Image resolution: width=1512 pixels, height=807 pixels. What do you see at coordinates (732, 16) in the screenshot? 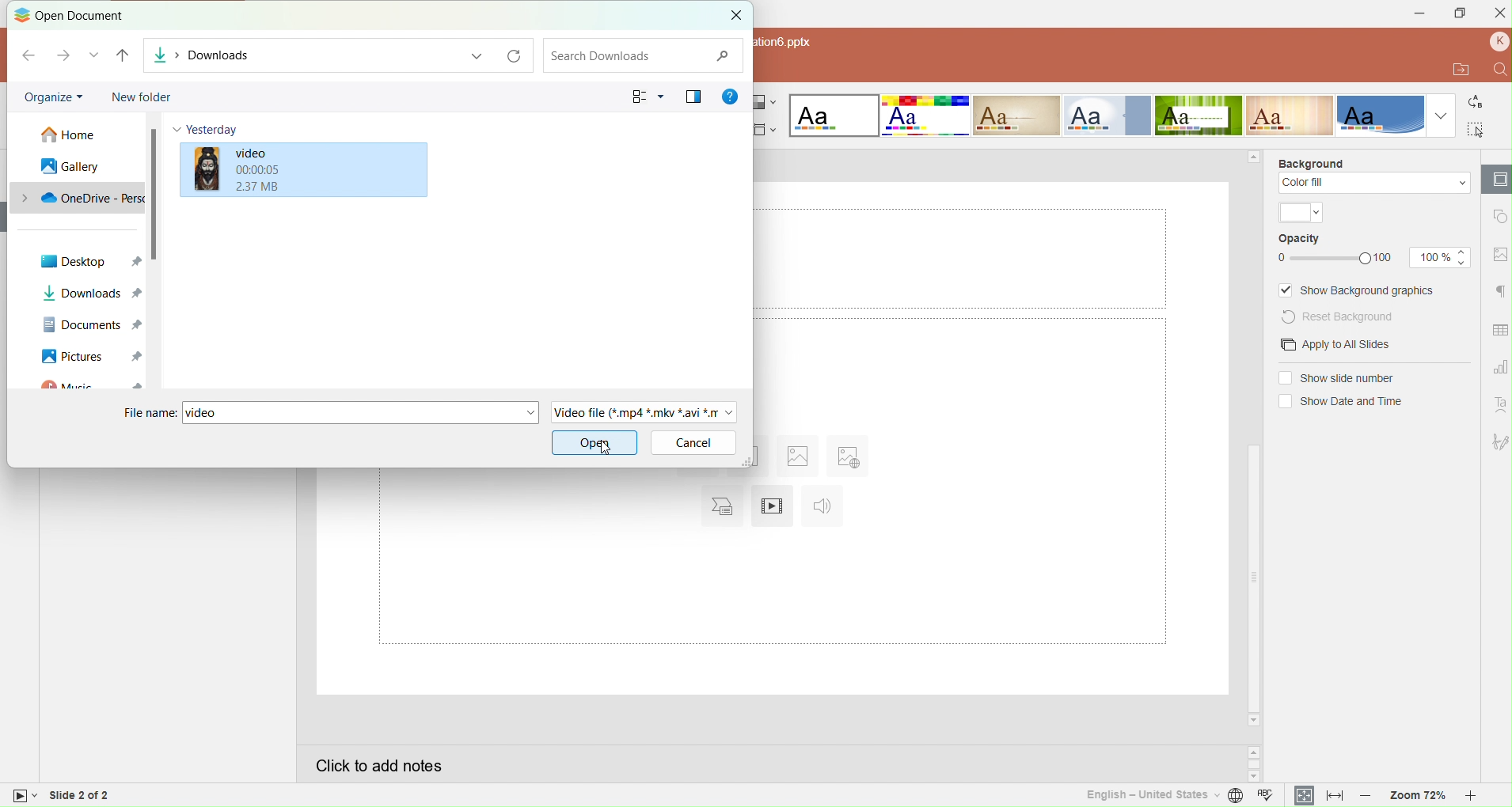
I see `Close` at bounding box center [732, 16].